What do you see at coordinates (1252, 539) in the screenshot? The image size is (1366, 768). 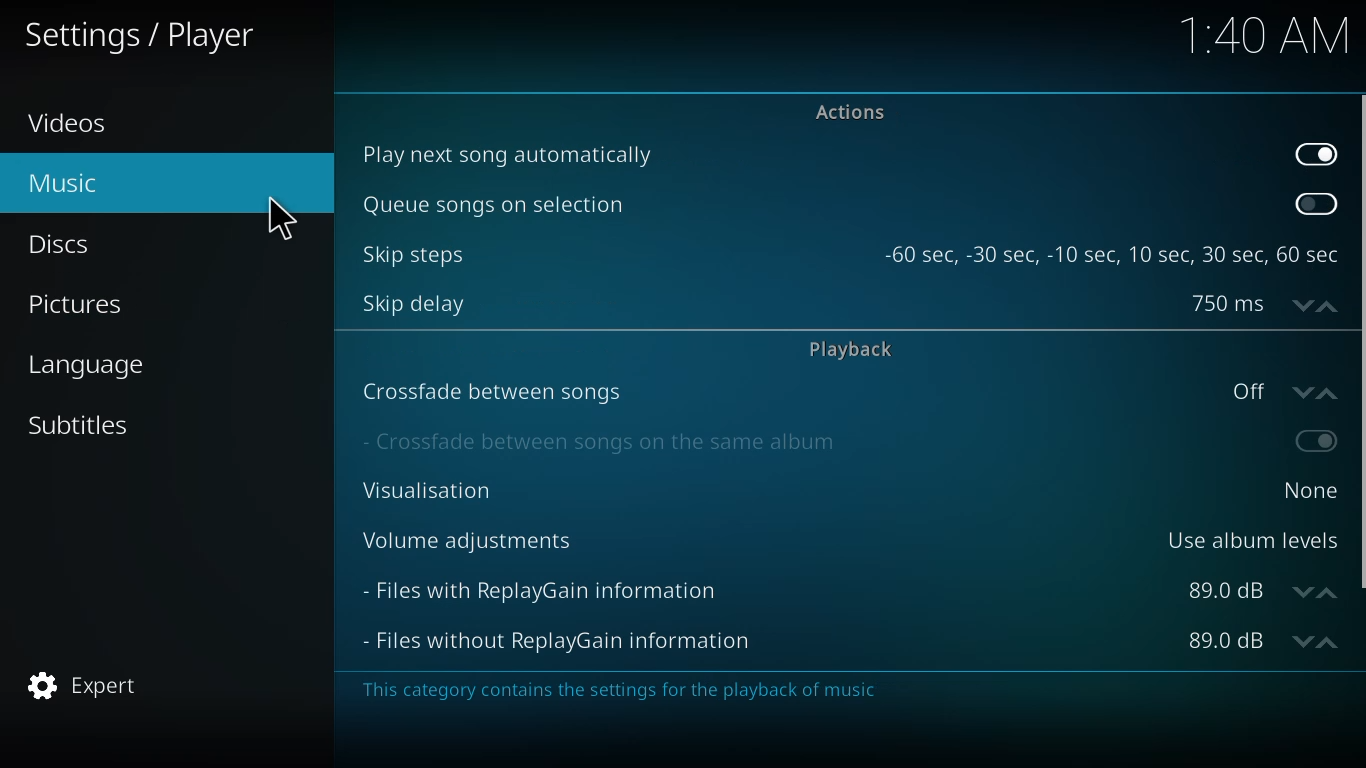 I see `use album levels` at bounding box center [1252, 539].